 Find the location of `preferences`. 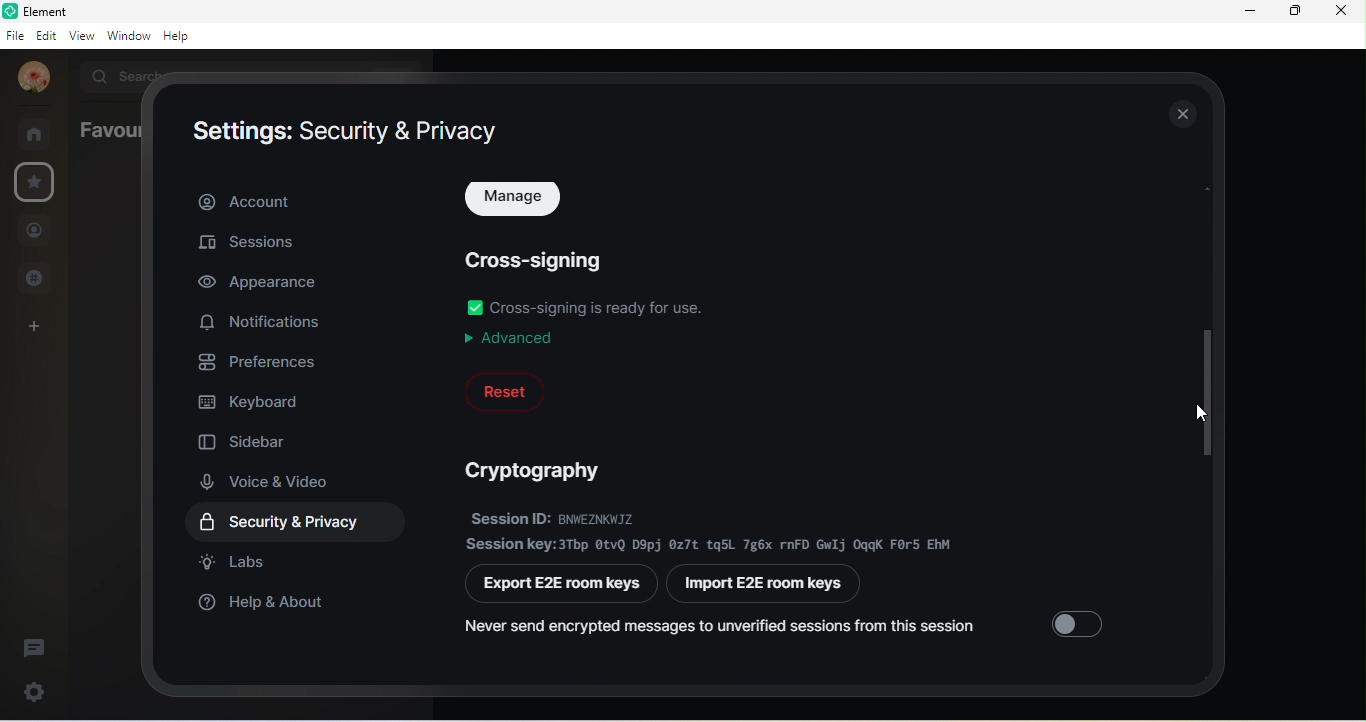

preferences is located at coordinates (263, 360).